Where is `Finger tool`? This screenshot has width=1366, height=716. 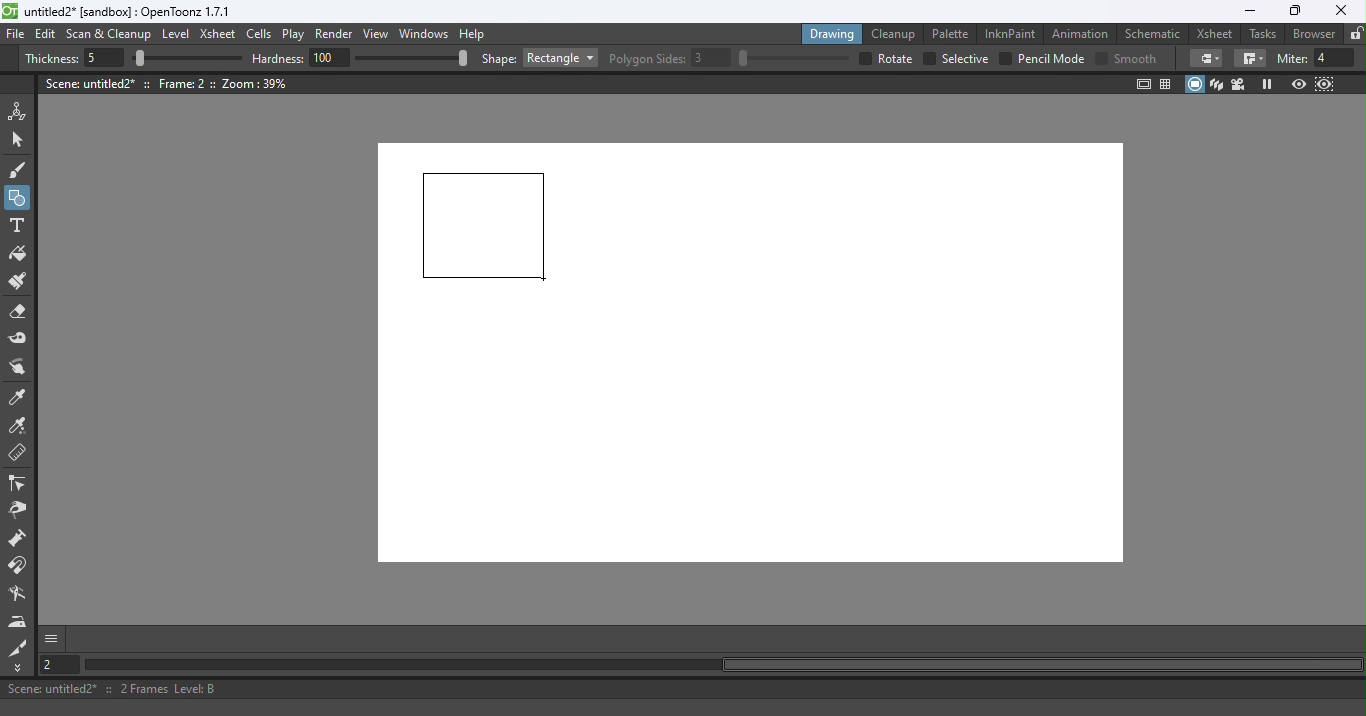
Finger tool is located at coordinates (18, 369).